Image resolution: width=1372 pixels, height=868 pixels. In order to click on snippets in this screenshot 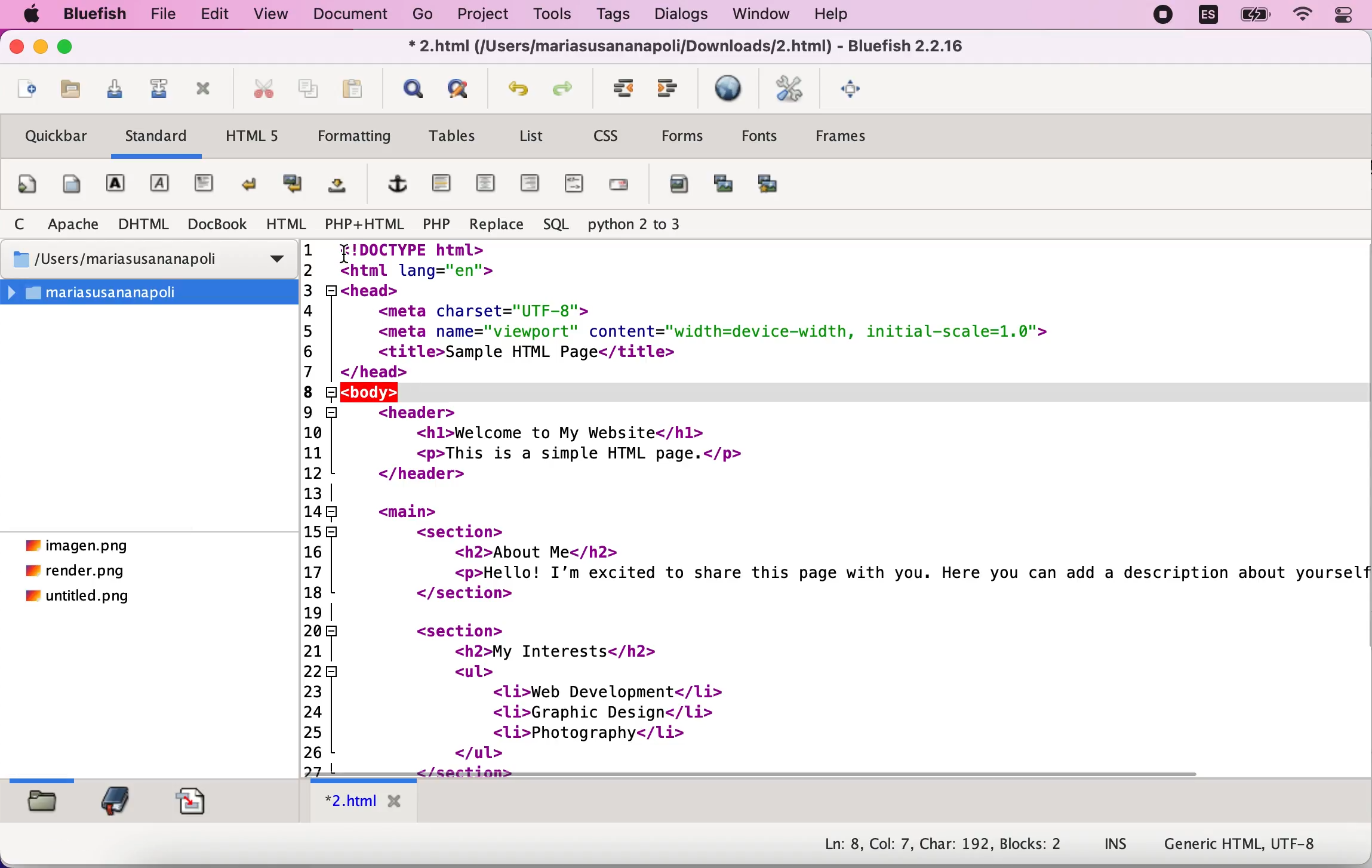, I will do `click(195, 802)`.